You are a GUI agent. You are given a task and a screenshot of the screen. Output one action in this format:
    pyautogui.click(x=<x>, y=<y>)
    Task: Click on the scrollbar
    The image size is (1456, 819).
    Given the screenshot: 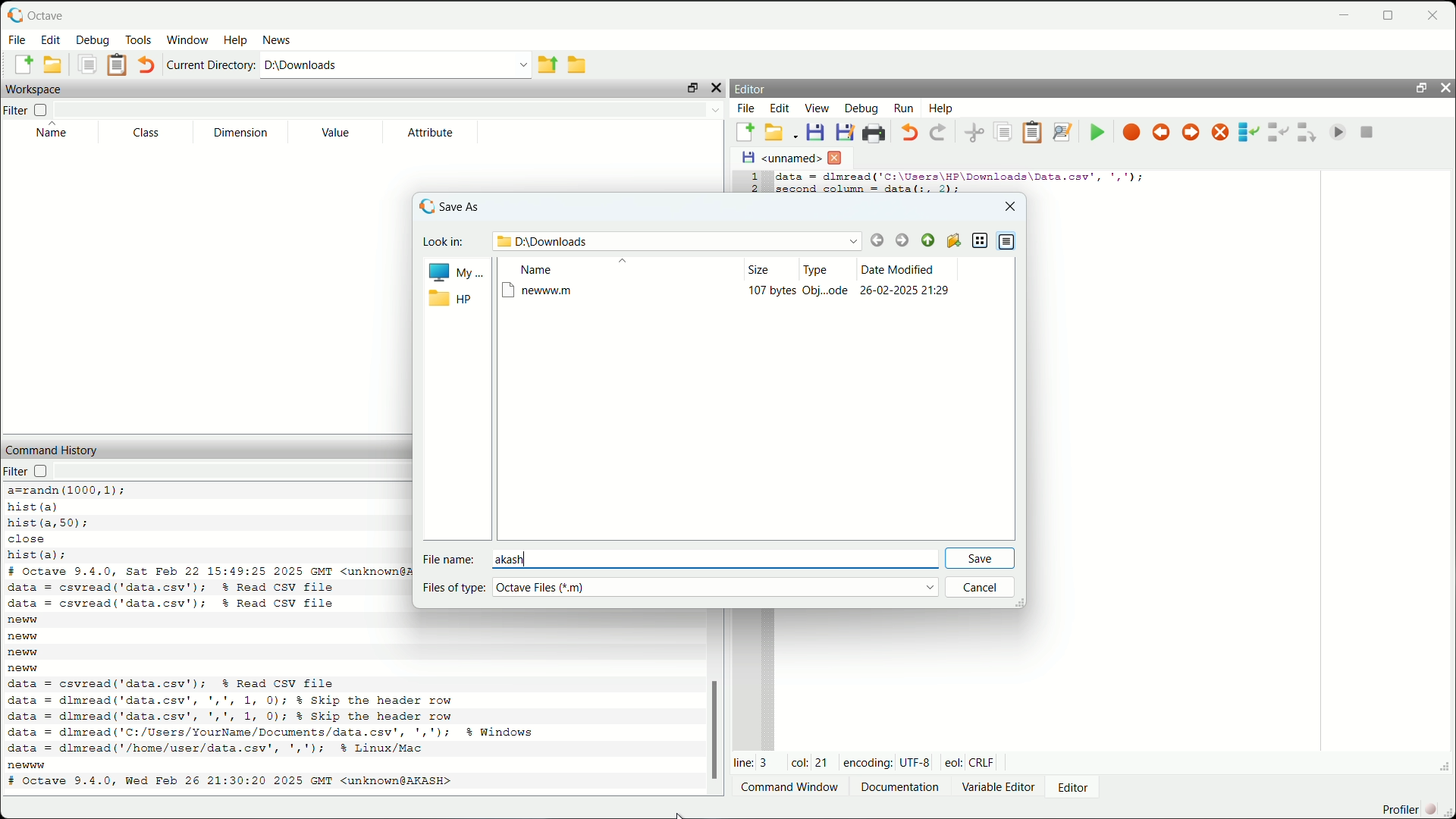 What is the action you would take?
    pyautogui.click(x=709, y=727)
    